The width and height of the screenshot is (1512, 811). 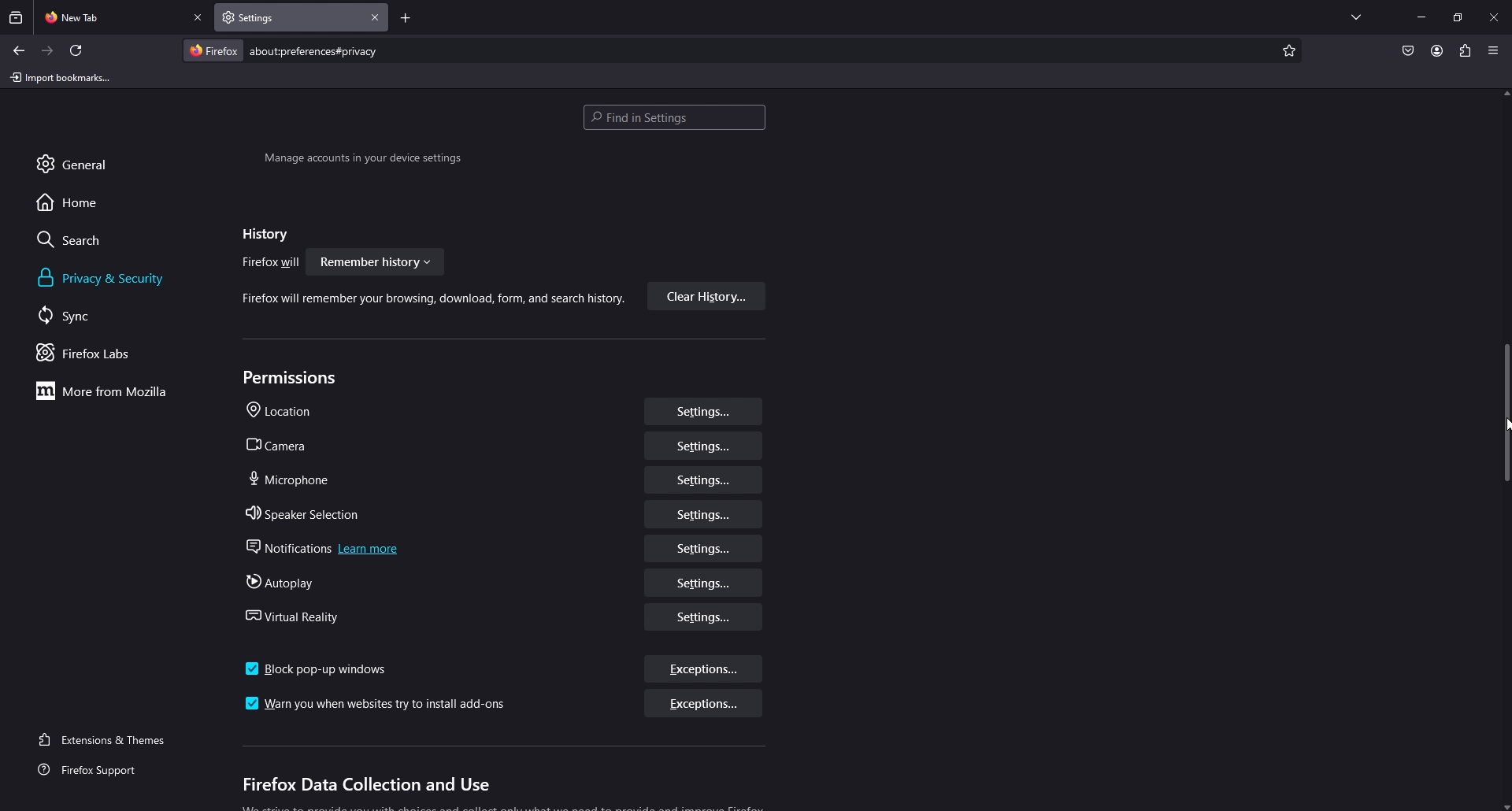 What do you see at coordinates (376, 17) in the screenshot?
I see `close tab` at bounding box center [376, 17].